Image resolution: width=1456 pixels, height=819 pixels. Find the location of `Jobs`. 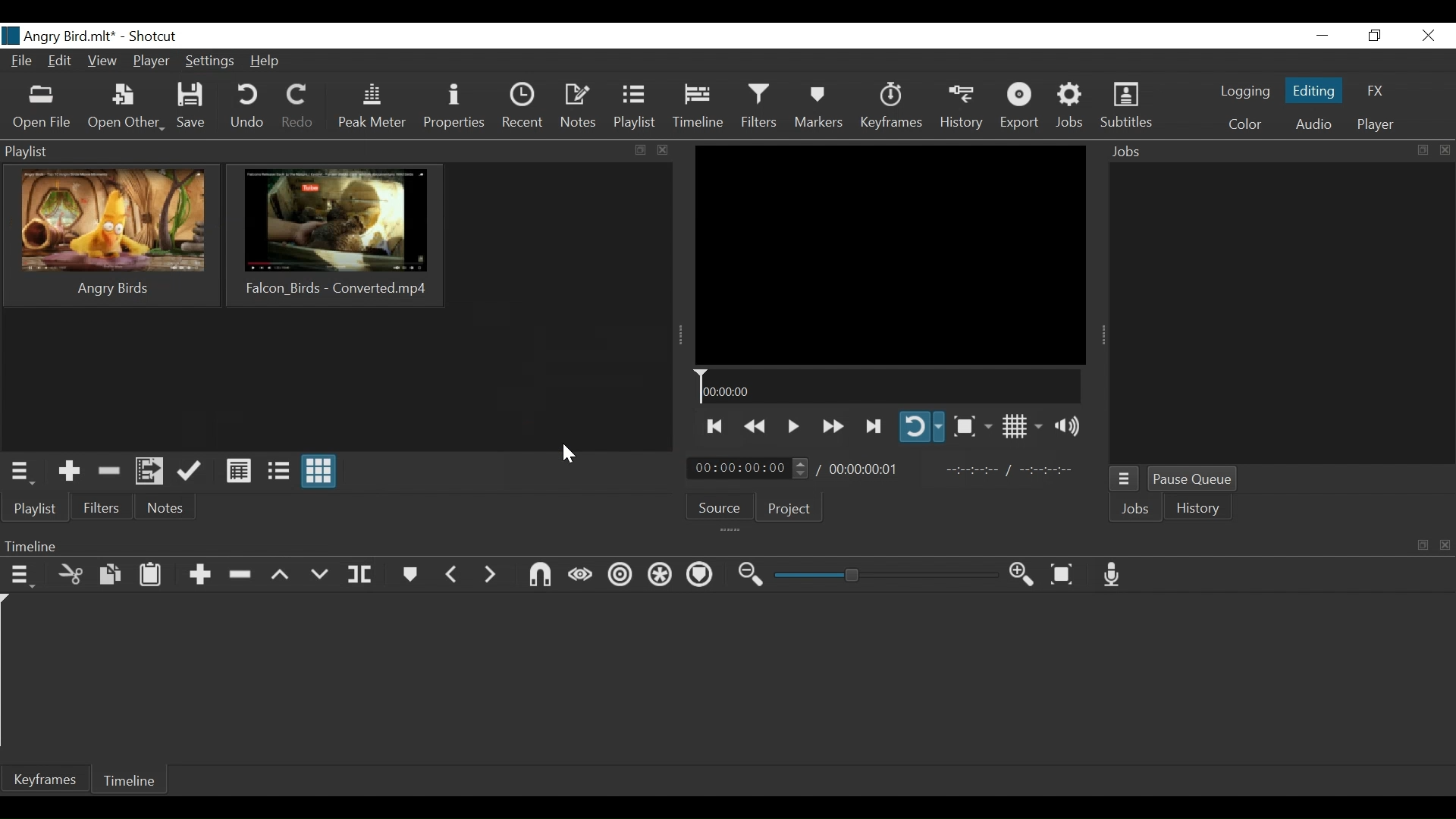

Jobs is located at coordinates (1071, 108).